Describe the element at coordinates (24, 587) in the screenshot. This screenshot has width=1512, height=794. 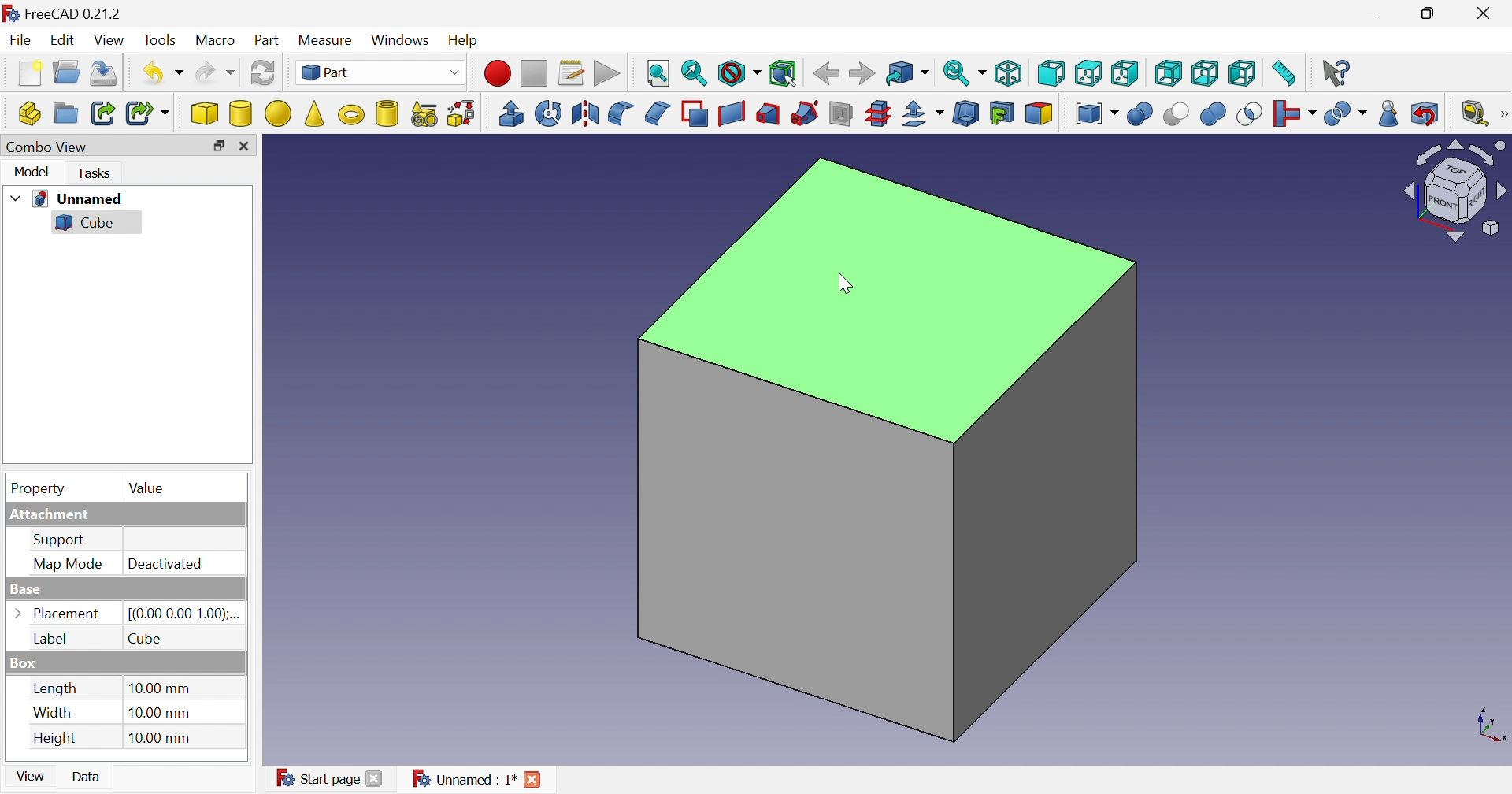
I see `Base` at that location.